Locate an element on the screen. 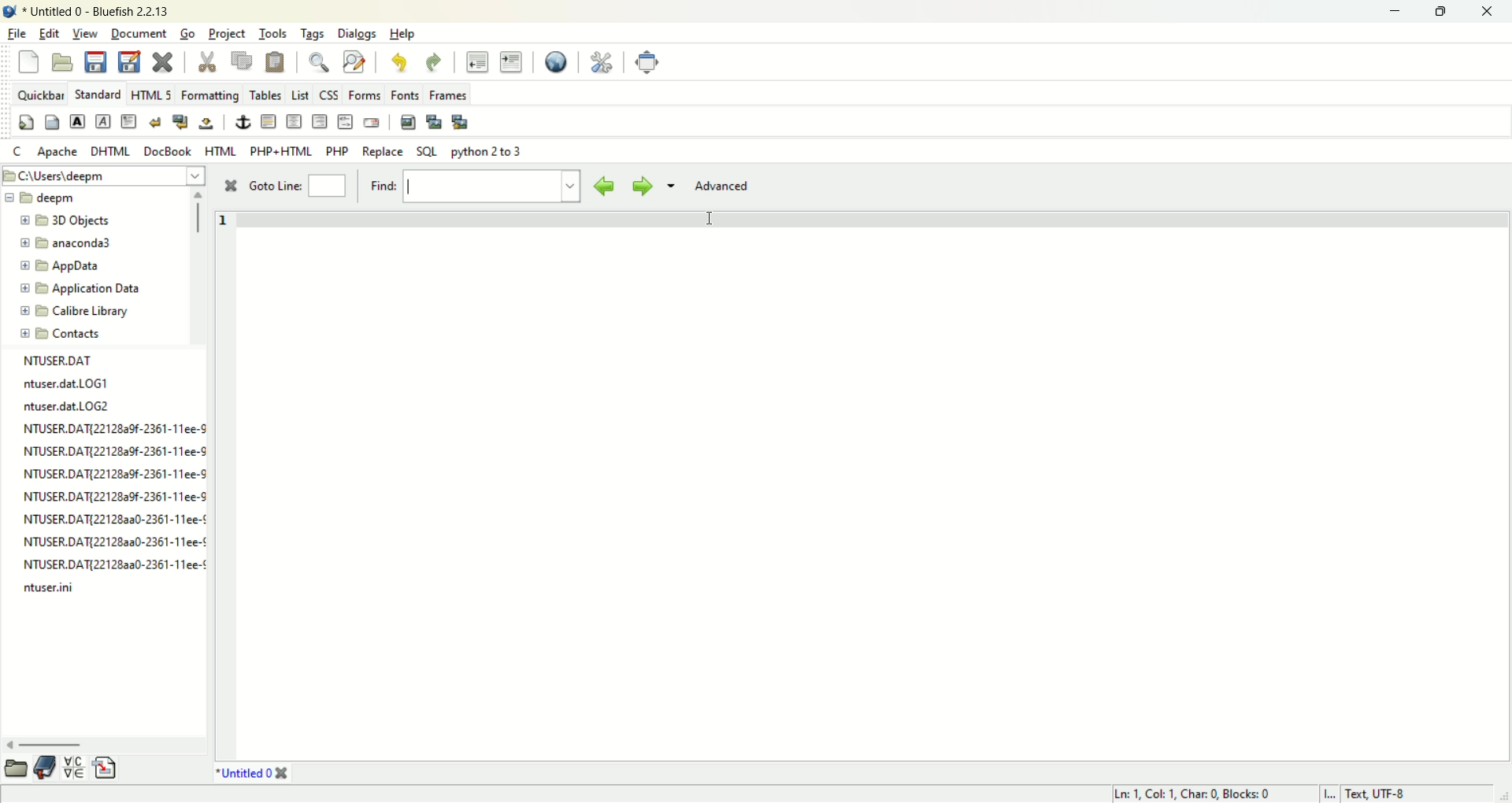 This screenshot has height=803, width=1512. I is located at coordinates (1333, 794).